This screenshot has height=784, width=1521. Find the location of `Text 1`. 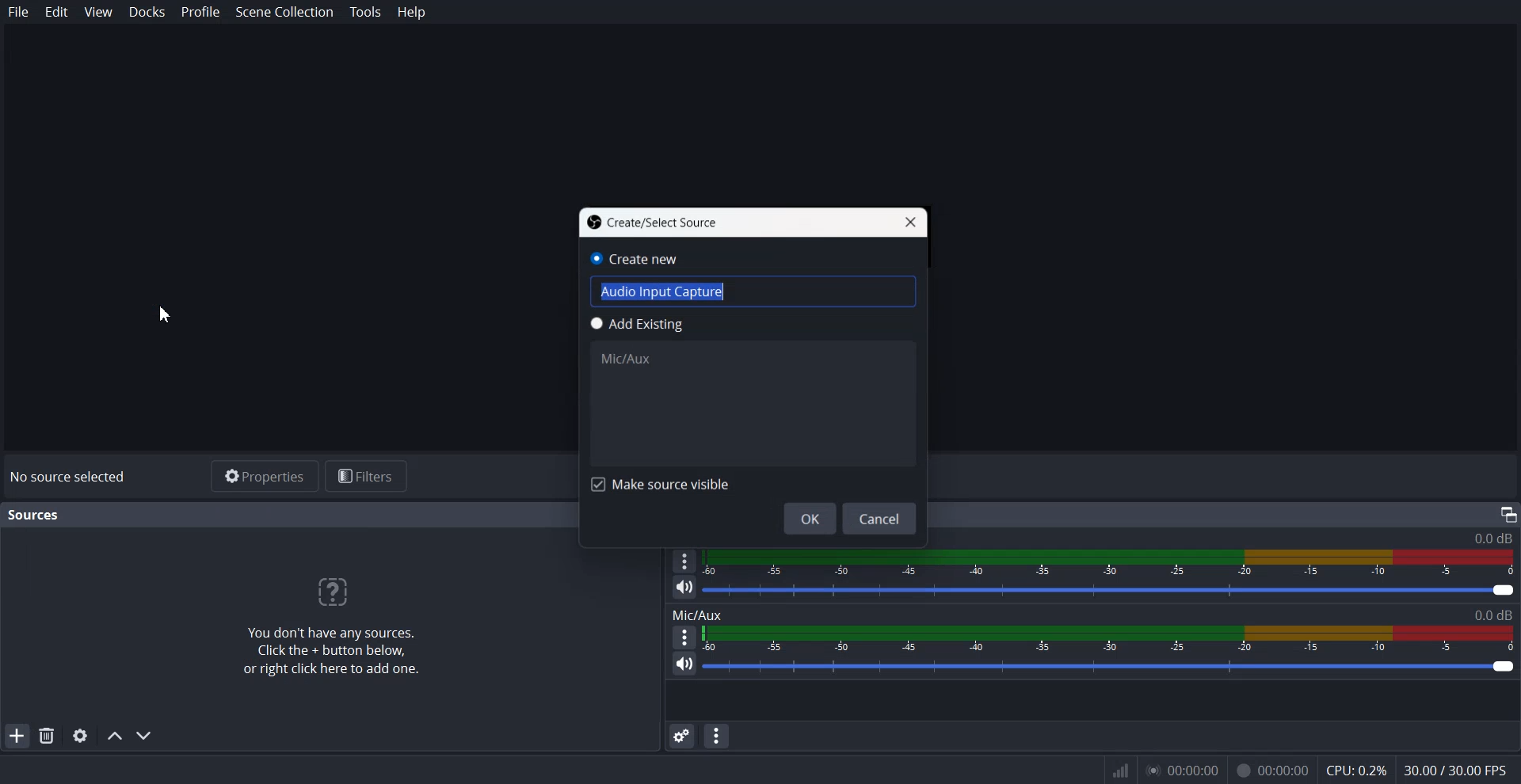

Text 1 is located at coordinates (330, 628).